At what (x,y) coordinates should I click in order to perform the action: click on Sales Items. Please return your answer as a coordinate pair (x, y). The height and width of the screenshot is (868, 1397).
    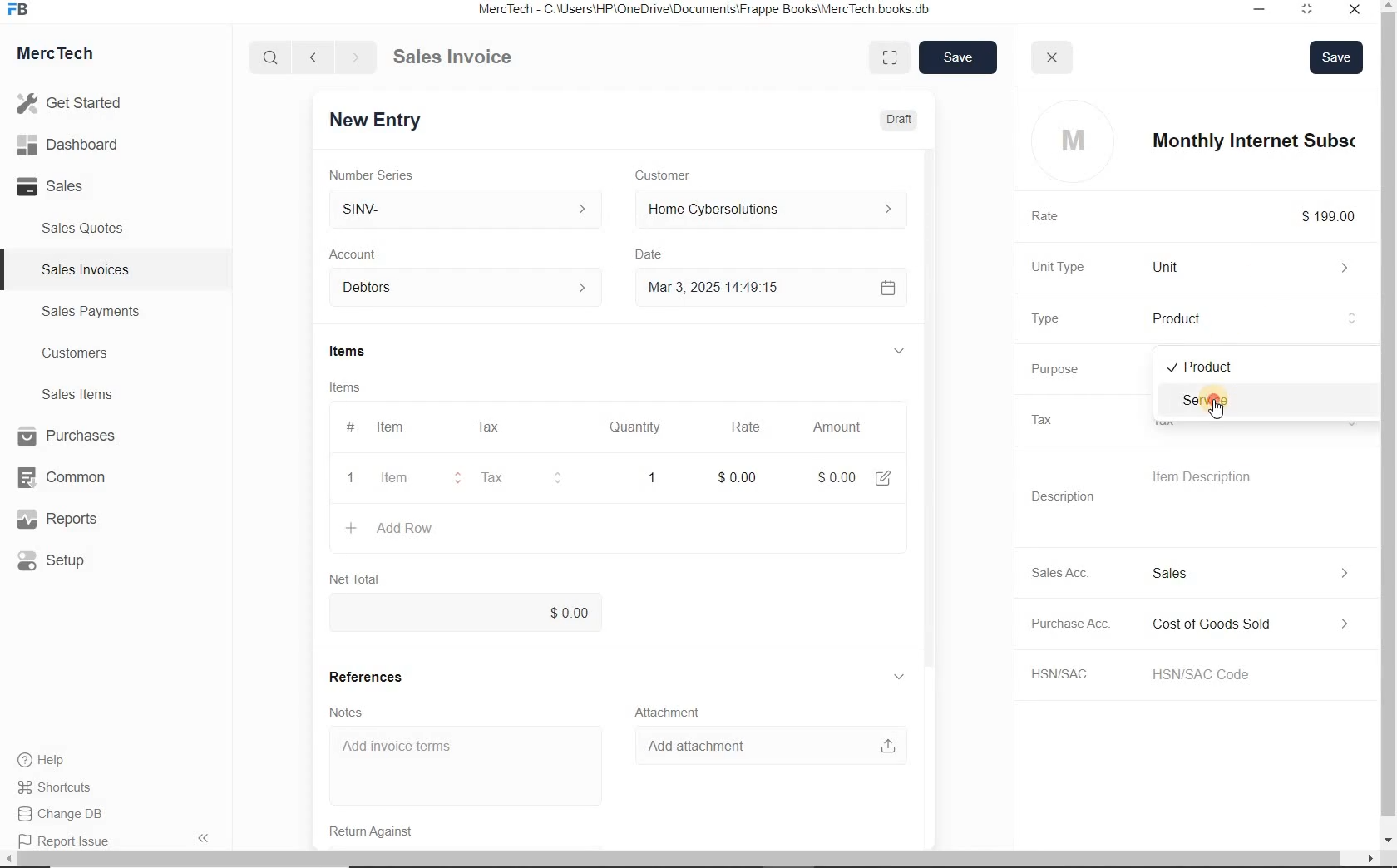
    Looking at the image, I should click on (88, 394).